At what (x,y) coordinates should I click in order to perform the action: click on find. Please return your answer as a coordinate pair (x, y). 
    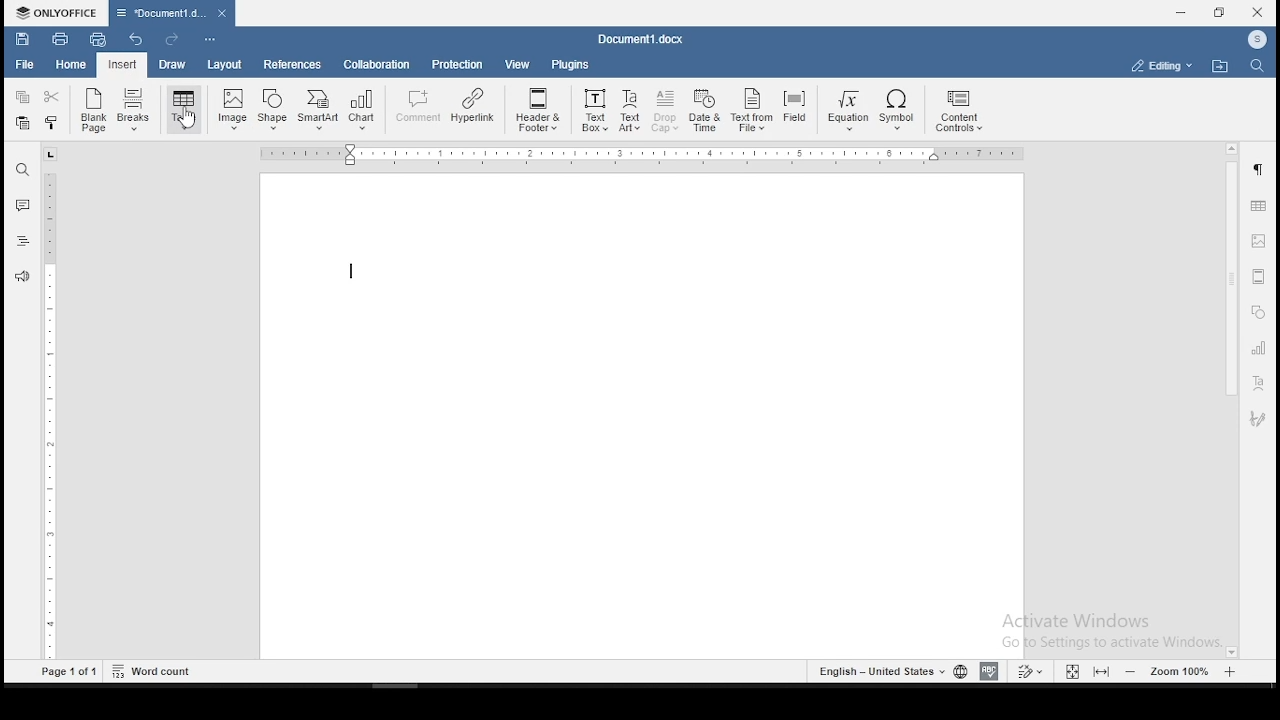
    Looking at the image, I should click on (23, 168).